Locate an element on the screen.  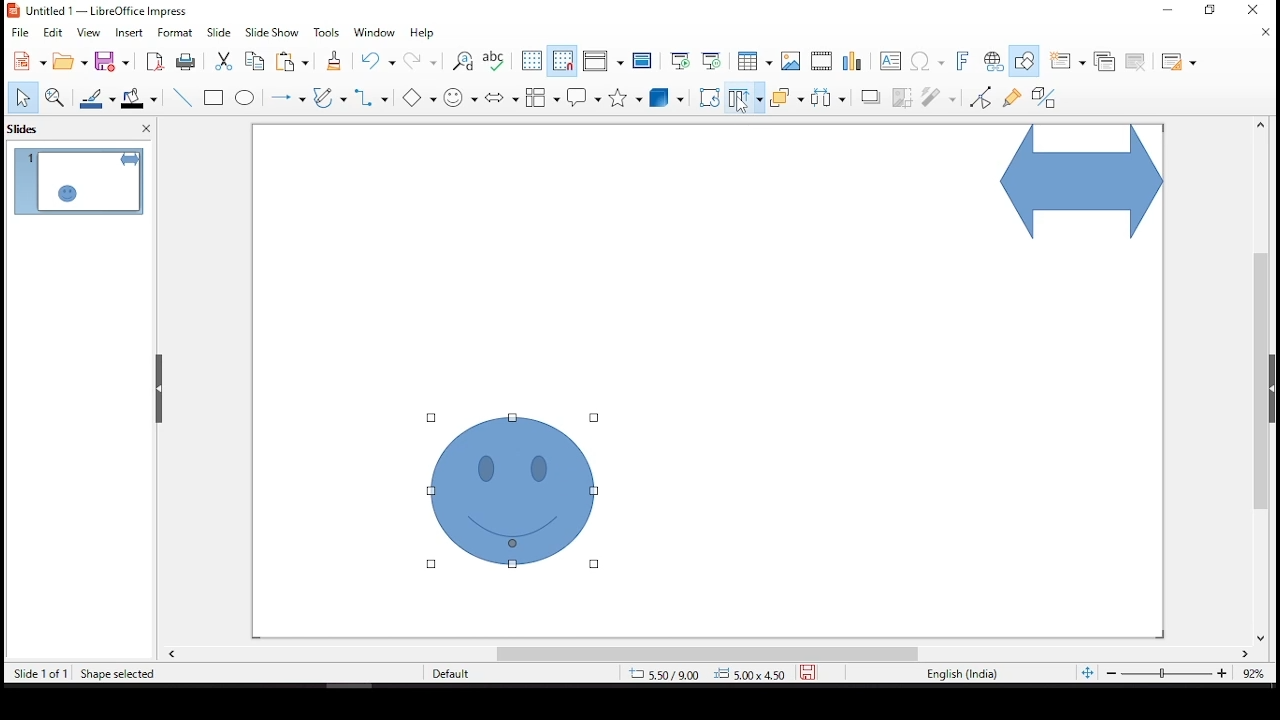
snap to grid is located at coordinates (563, 61).